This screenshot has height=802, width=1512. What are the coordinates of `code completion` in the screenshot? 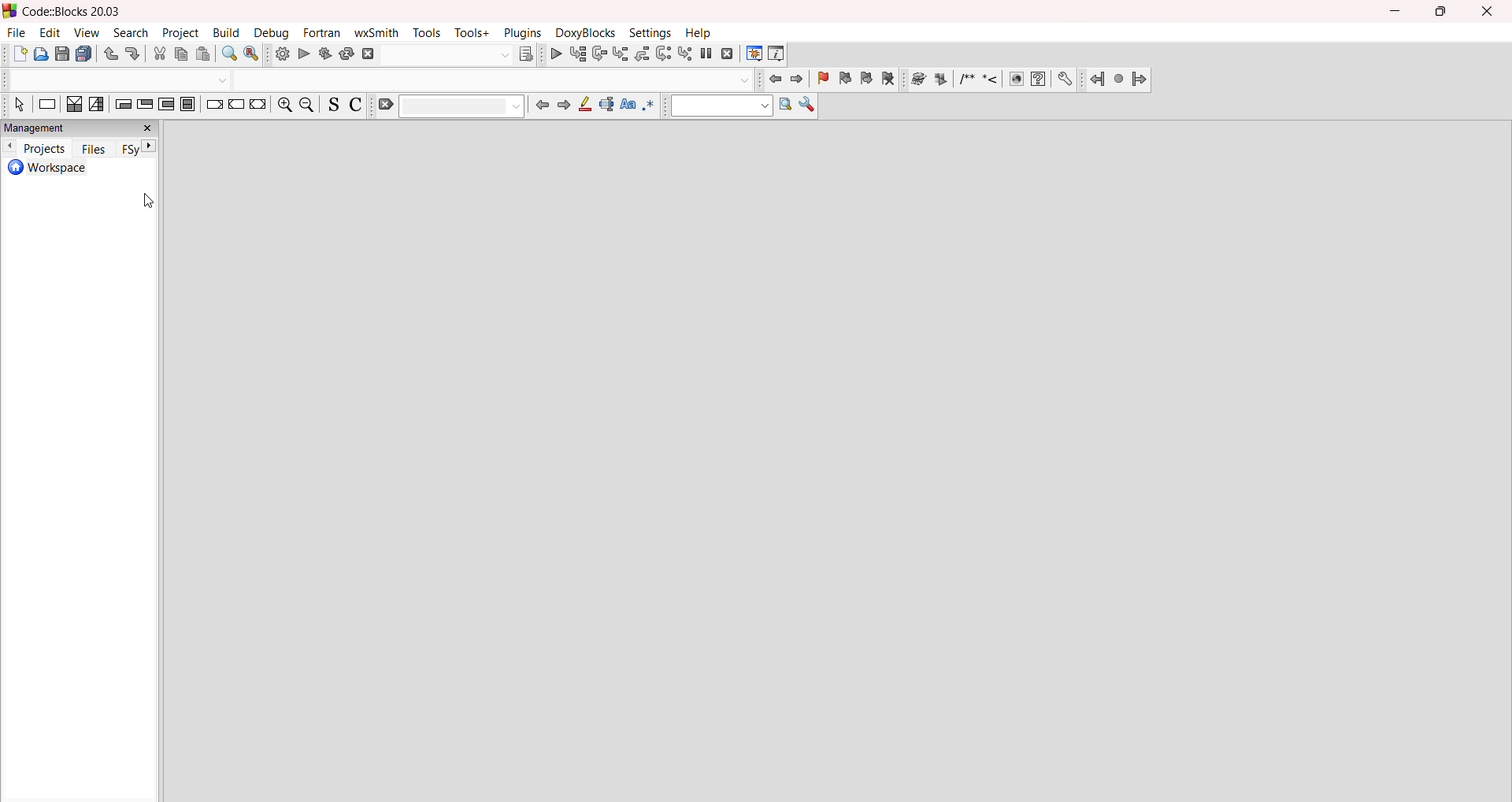 It's located at (376, 79).